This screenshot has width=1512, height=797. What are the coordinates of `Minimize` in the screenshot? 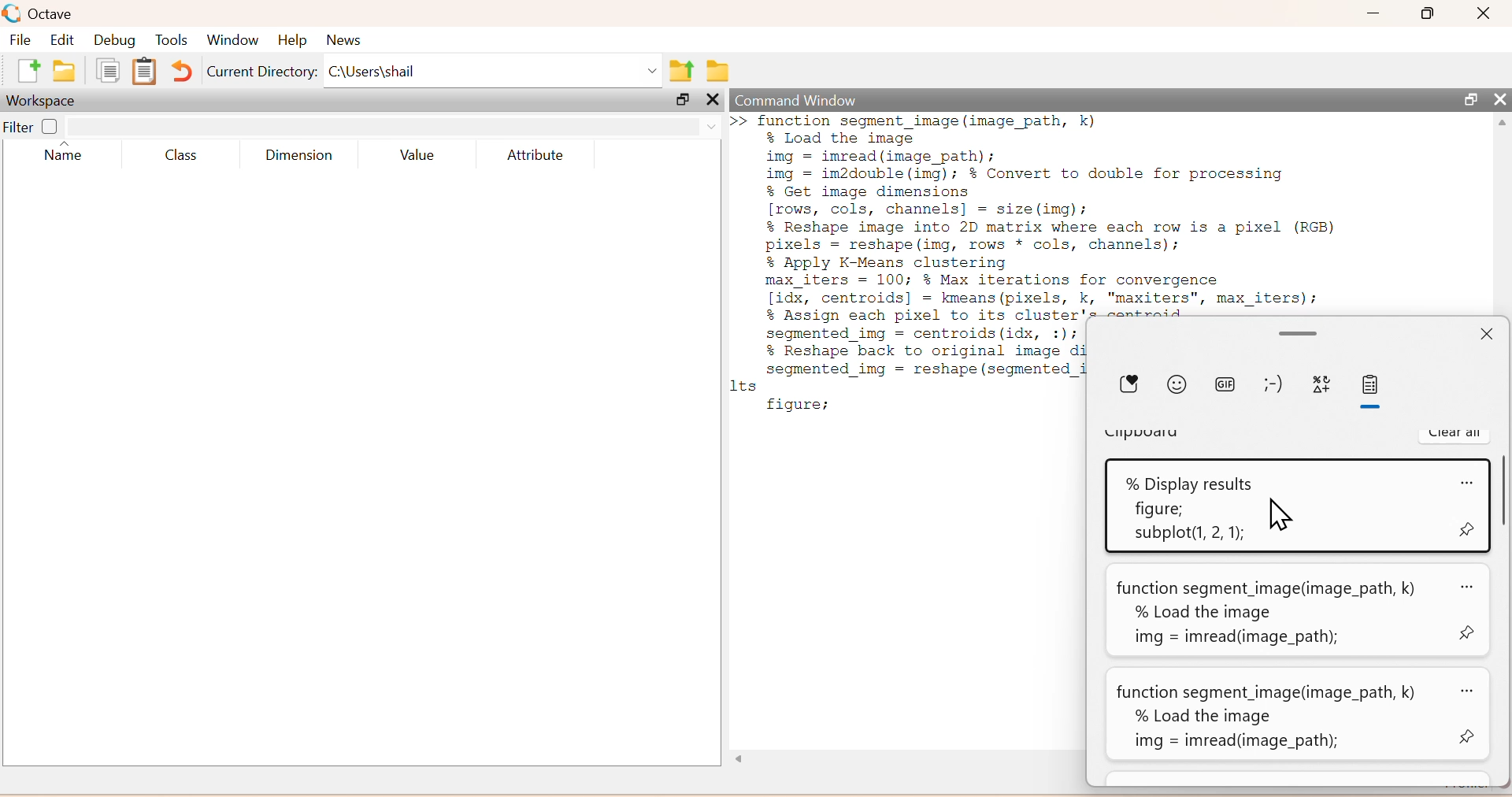 It's located at (1299, 332).